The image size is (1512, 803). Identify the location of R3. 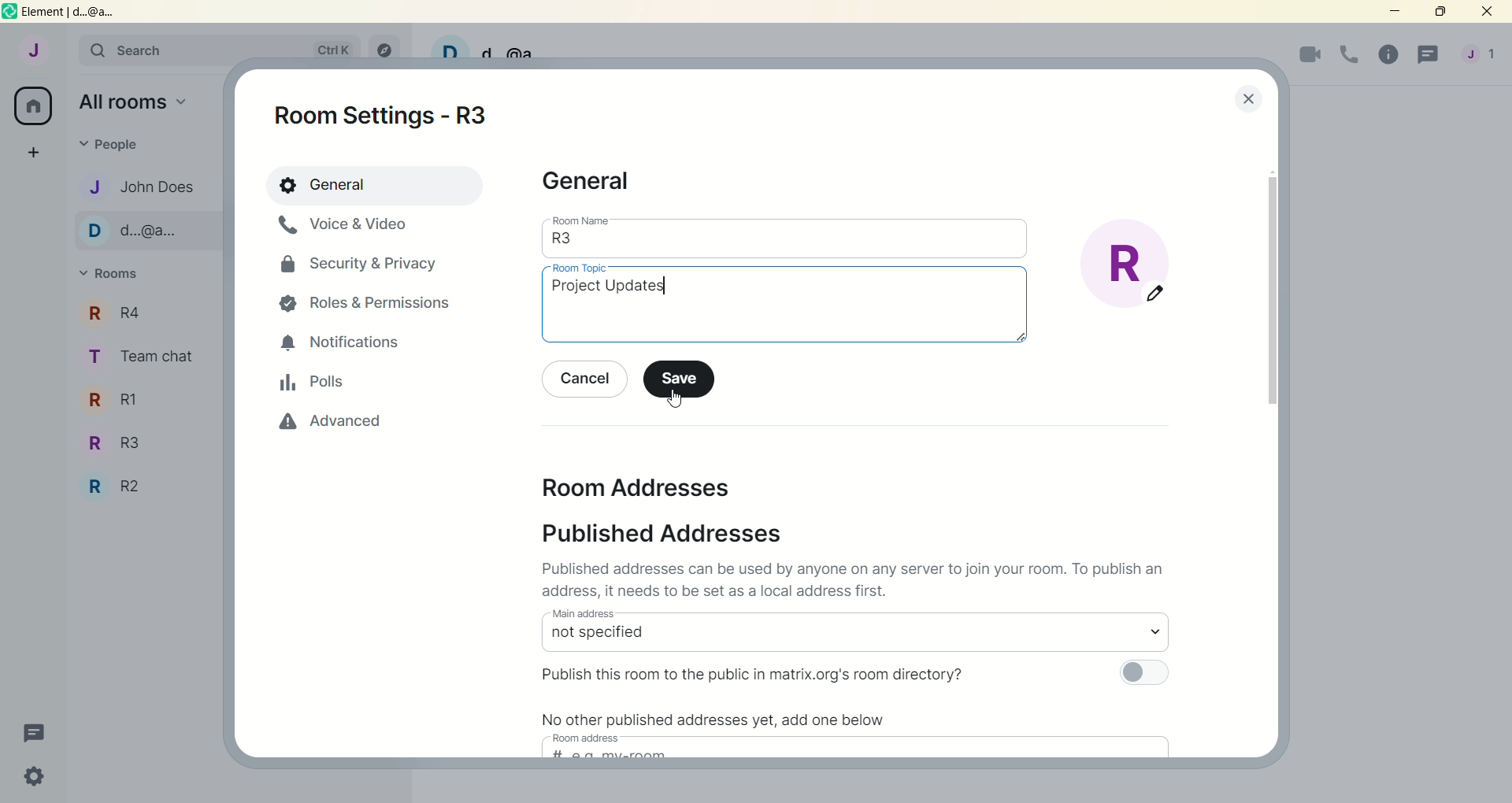
(143, 442).